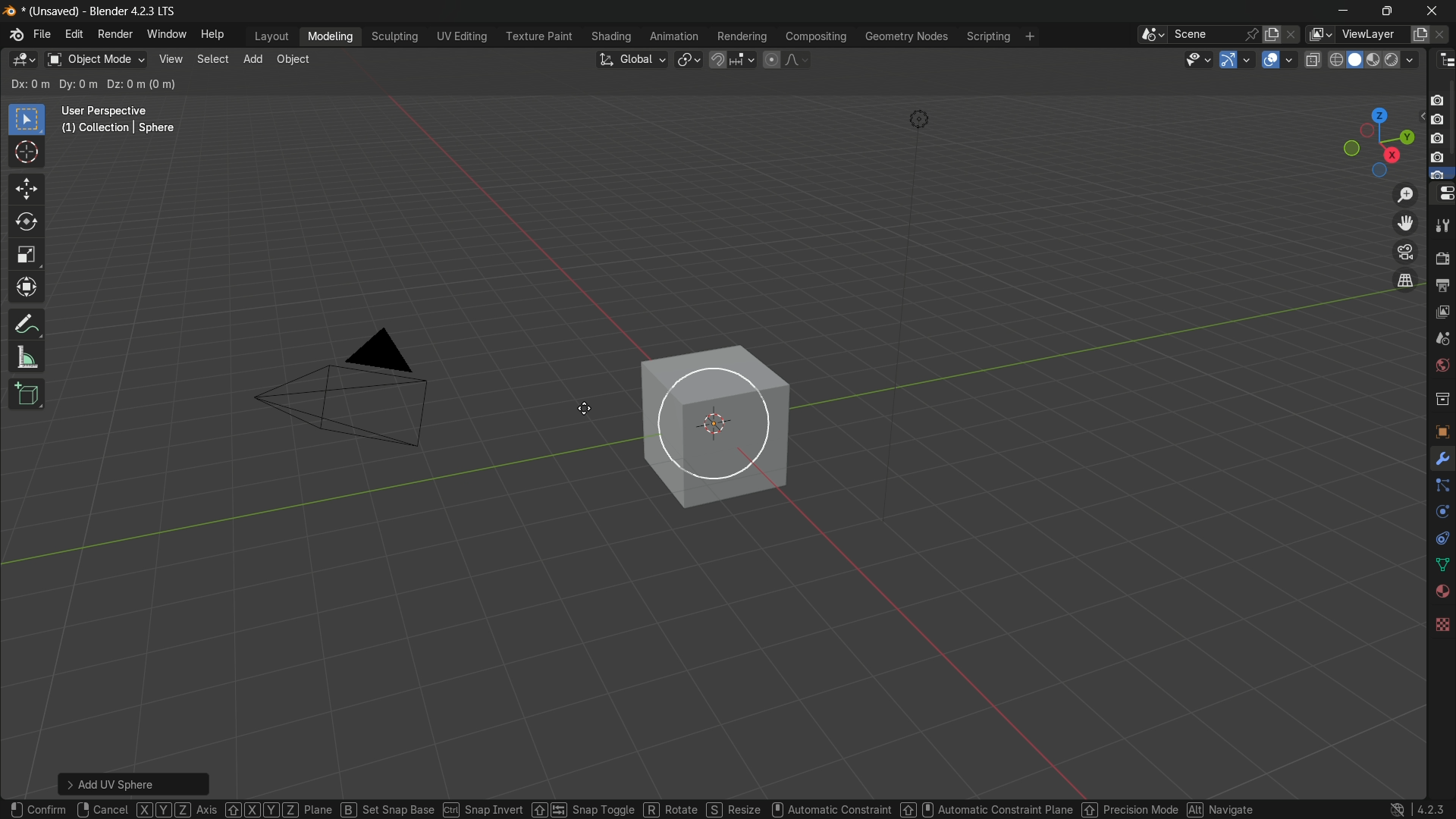  What do you see at coordinates (331, 36) in the screenshot?
I see `modeling menu` at bounding box center [331, 36].